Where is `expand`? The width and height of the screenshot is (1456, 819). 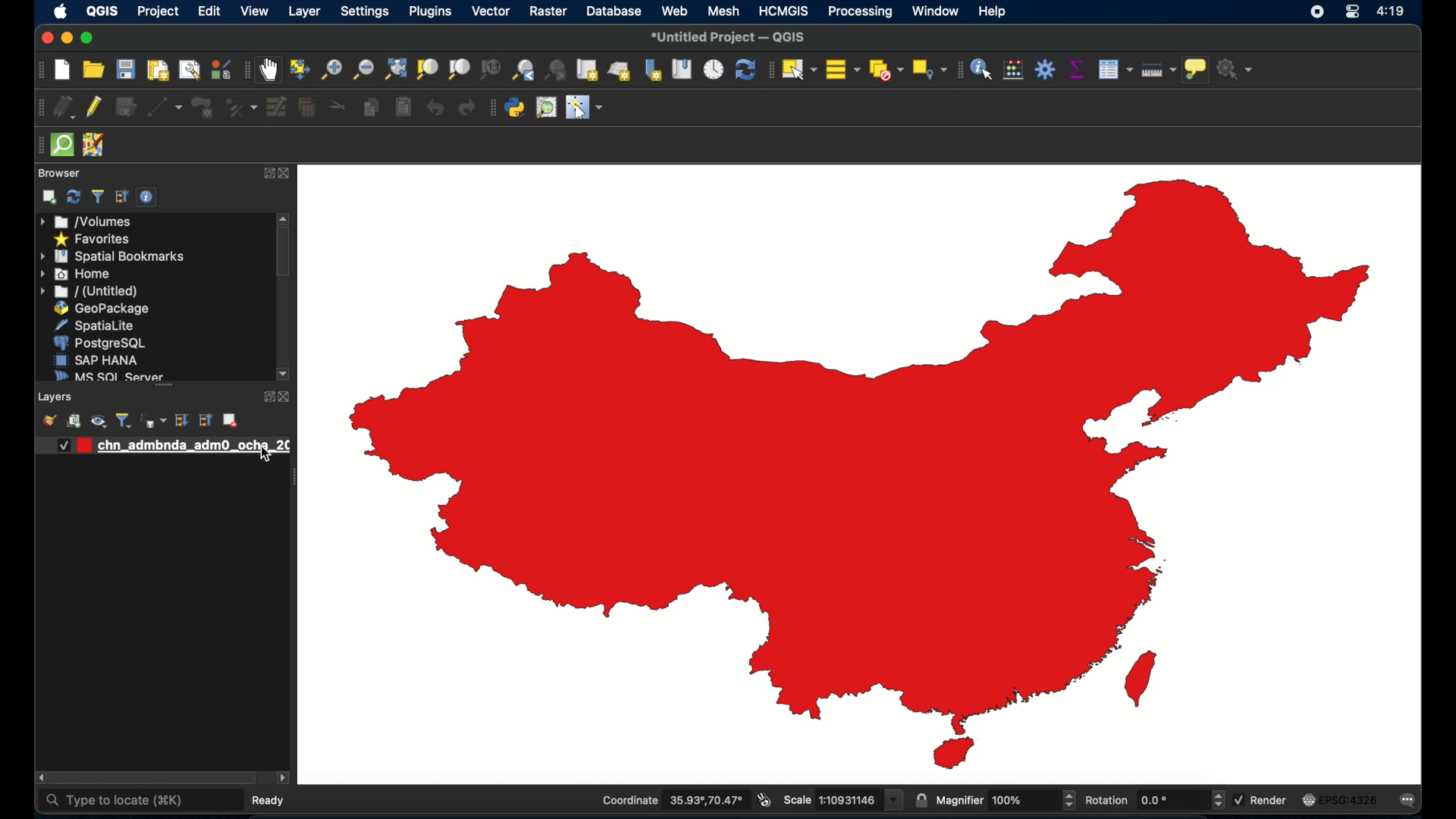
expand is located at coordinates (265, 397).